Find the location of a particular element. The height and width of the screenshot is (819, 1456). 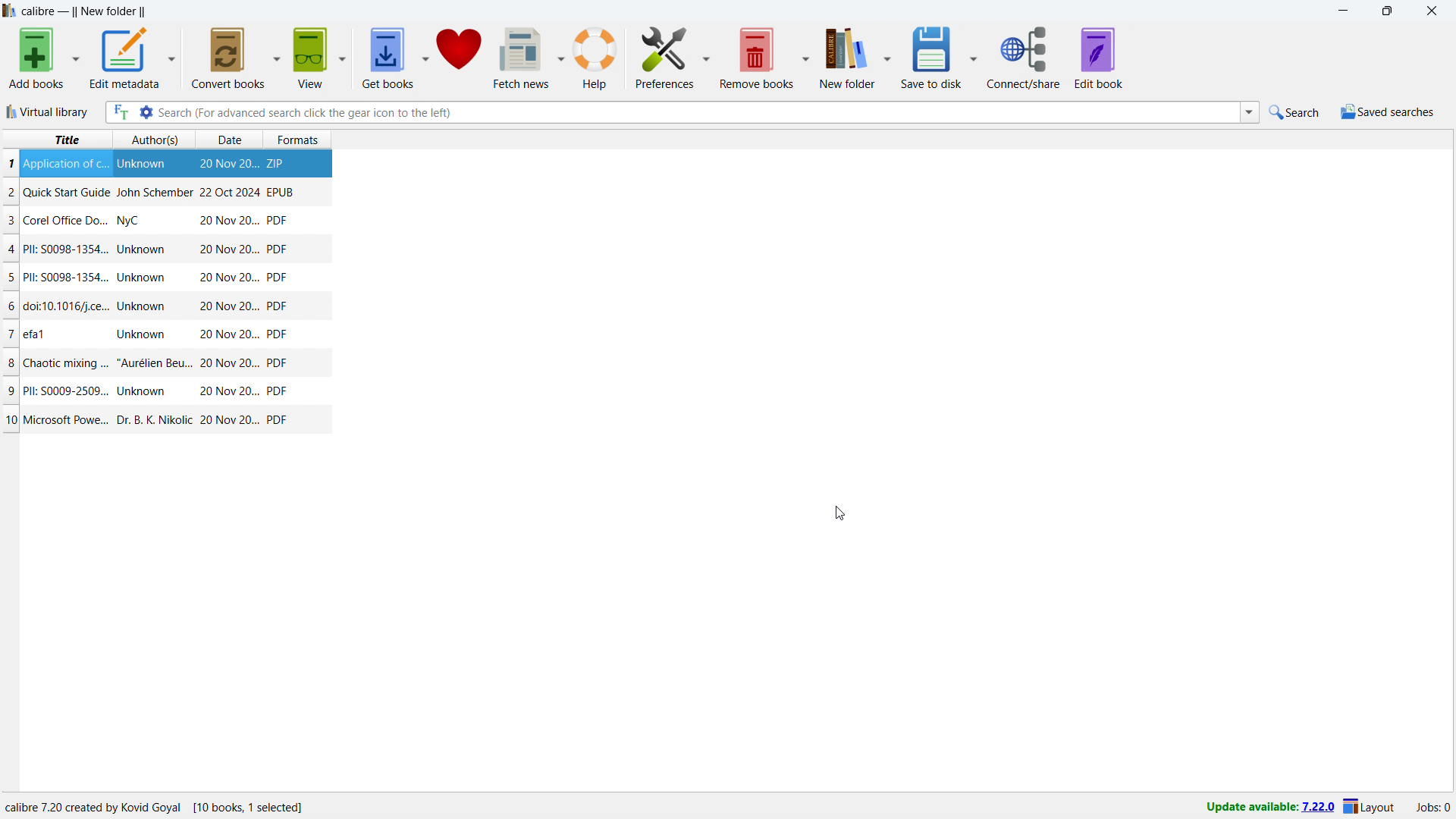

add books is located at coordinates (37, 58).